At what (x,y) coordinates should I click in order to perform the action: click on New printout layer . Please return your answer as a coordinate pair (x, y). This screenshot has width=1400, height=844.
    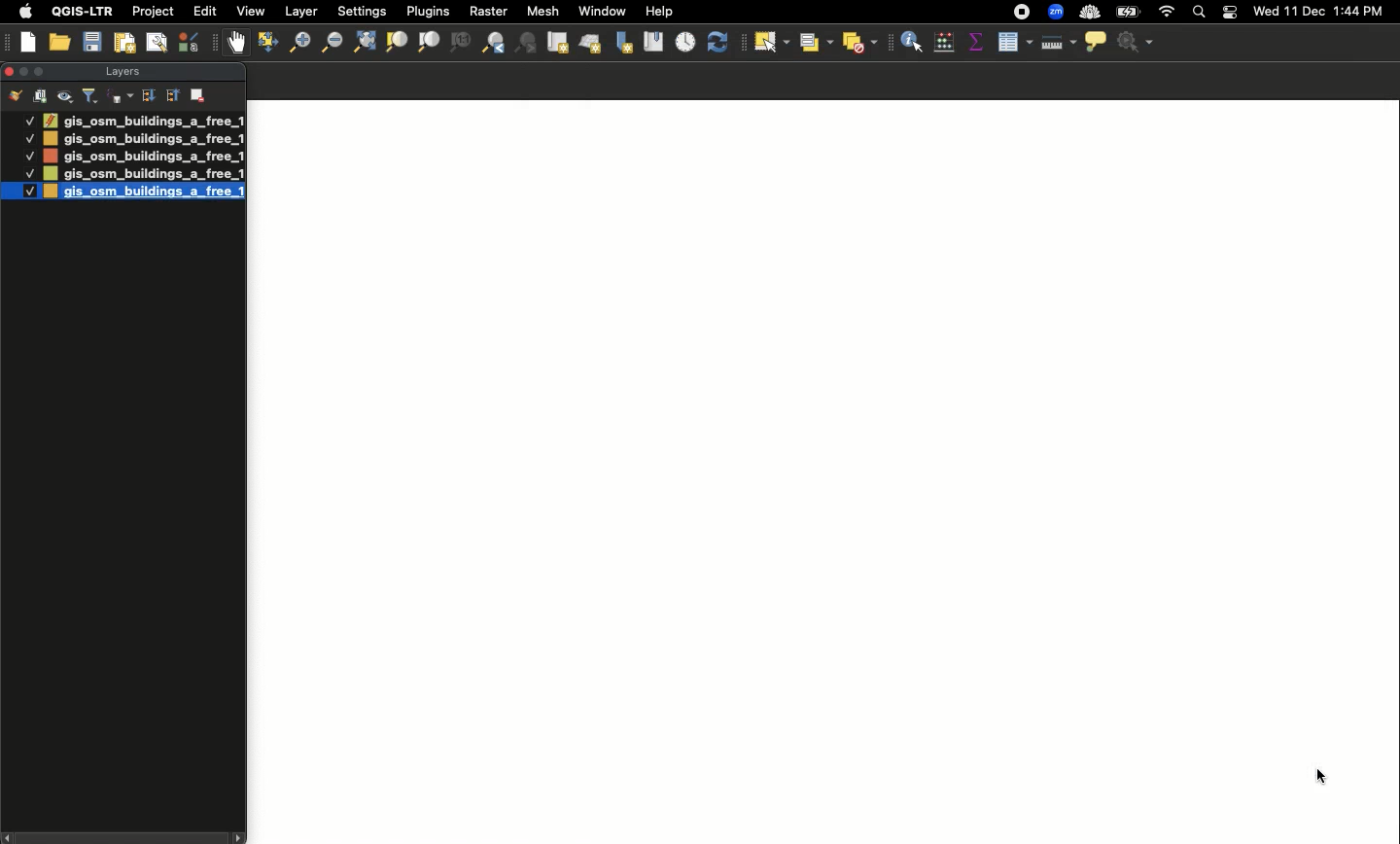
    Looking at the image, I should click on (124, 43).